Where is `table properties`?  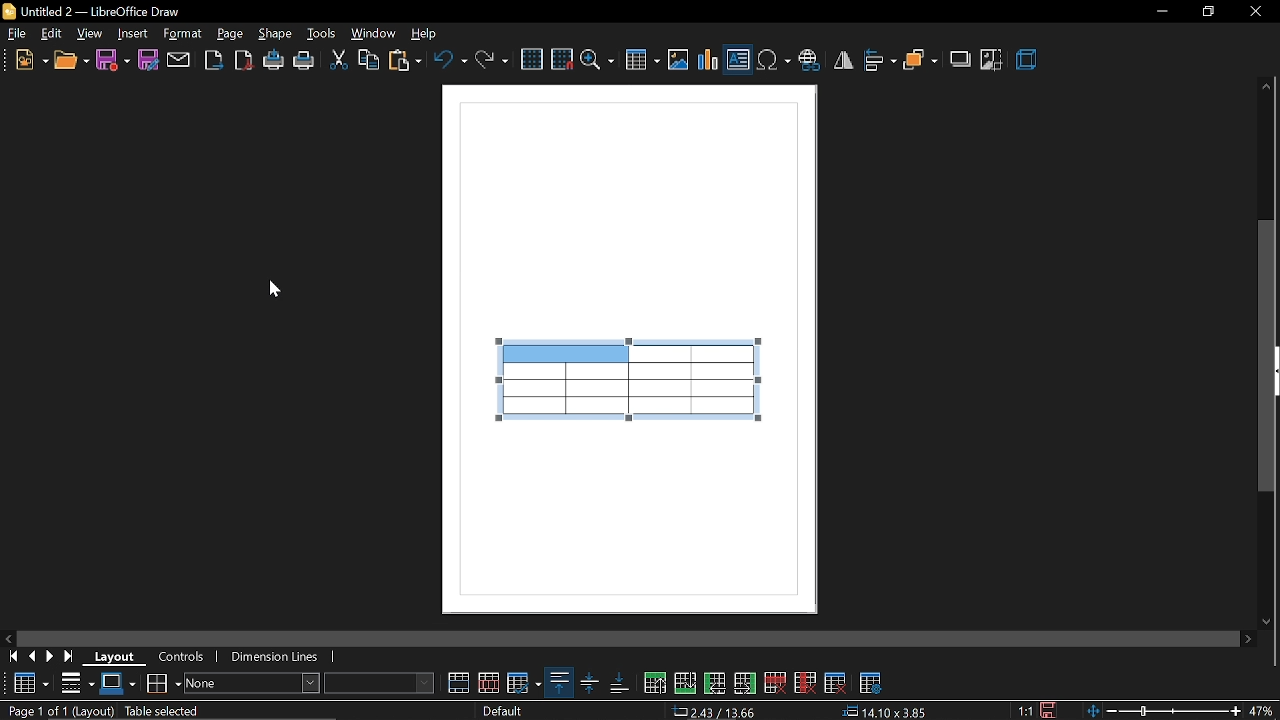
table properties is located at coordinates (870, 680).